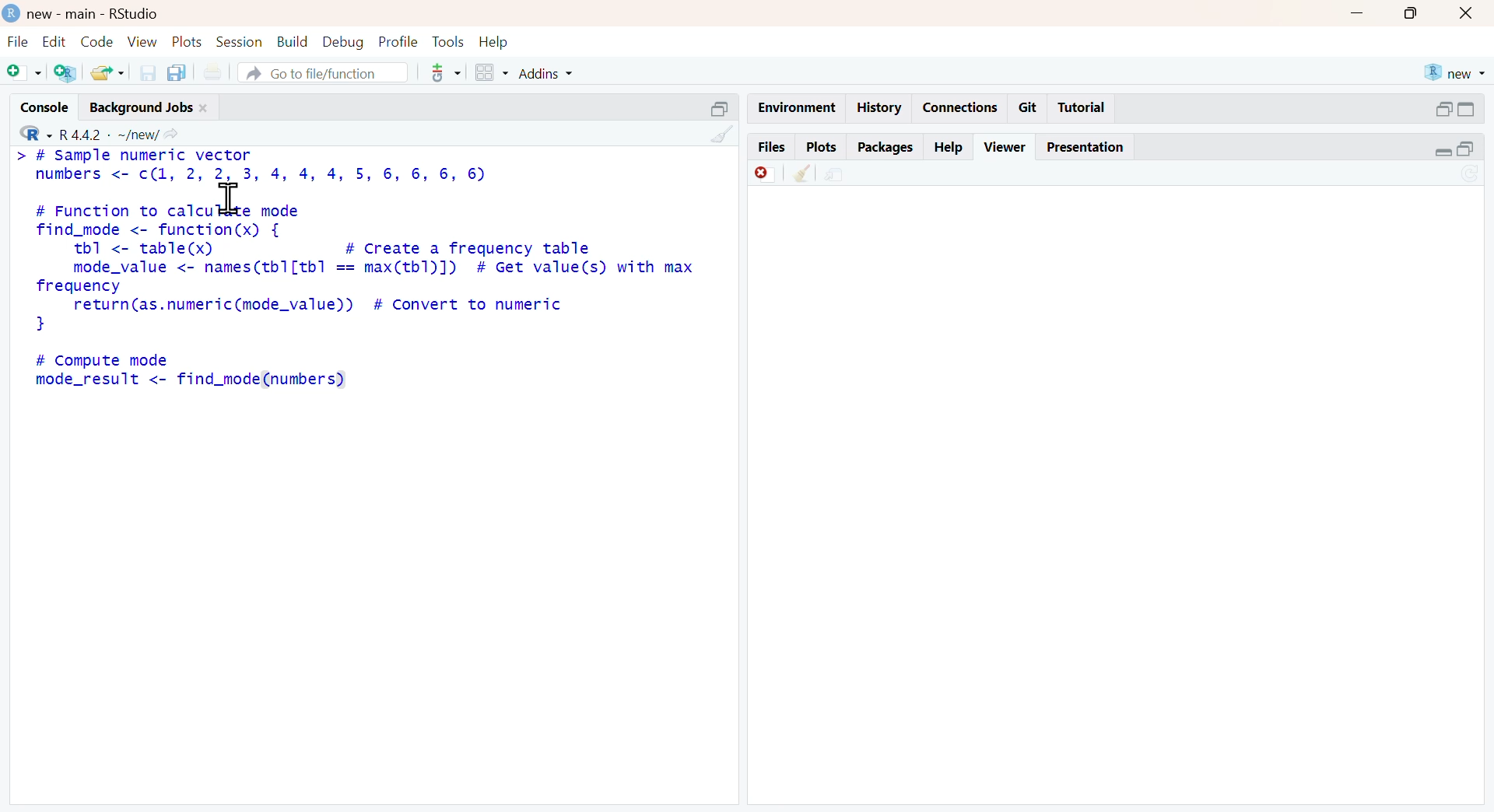 The width and height of the screenshot is (1494, 812). I want to click on R 4.4.2 ~/new/, so click(109, 135).